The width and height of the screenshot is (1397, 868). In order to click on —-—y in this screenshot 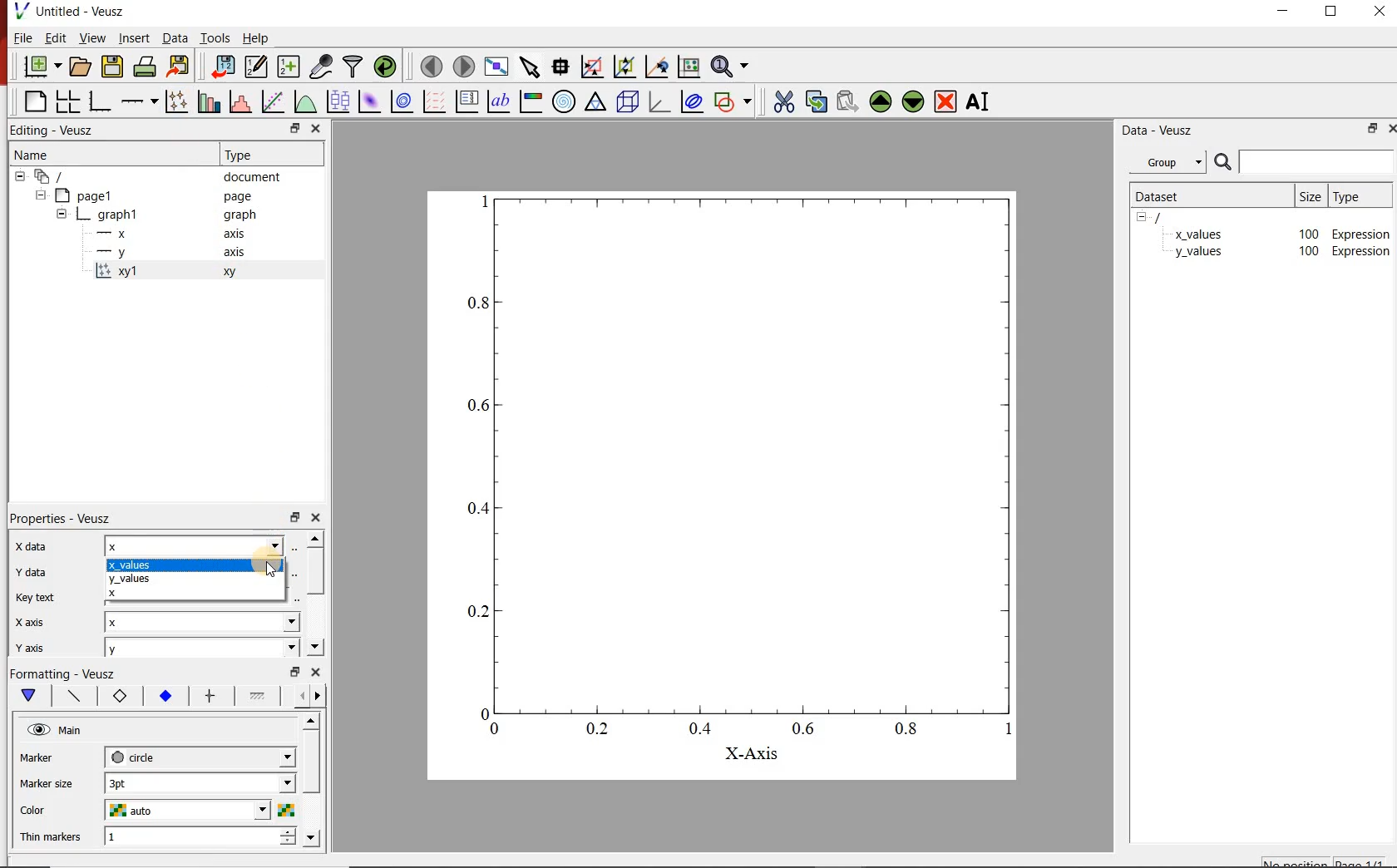, I will do `click(111, 253)`.